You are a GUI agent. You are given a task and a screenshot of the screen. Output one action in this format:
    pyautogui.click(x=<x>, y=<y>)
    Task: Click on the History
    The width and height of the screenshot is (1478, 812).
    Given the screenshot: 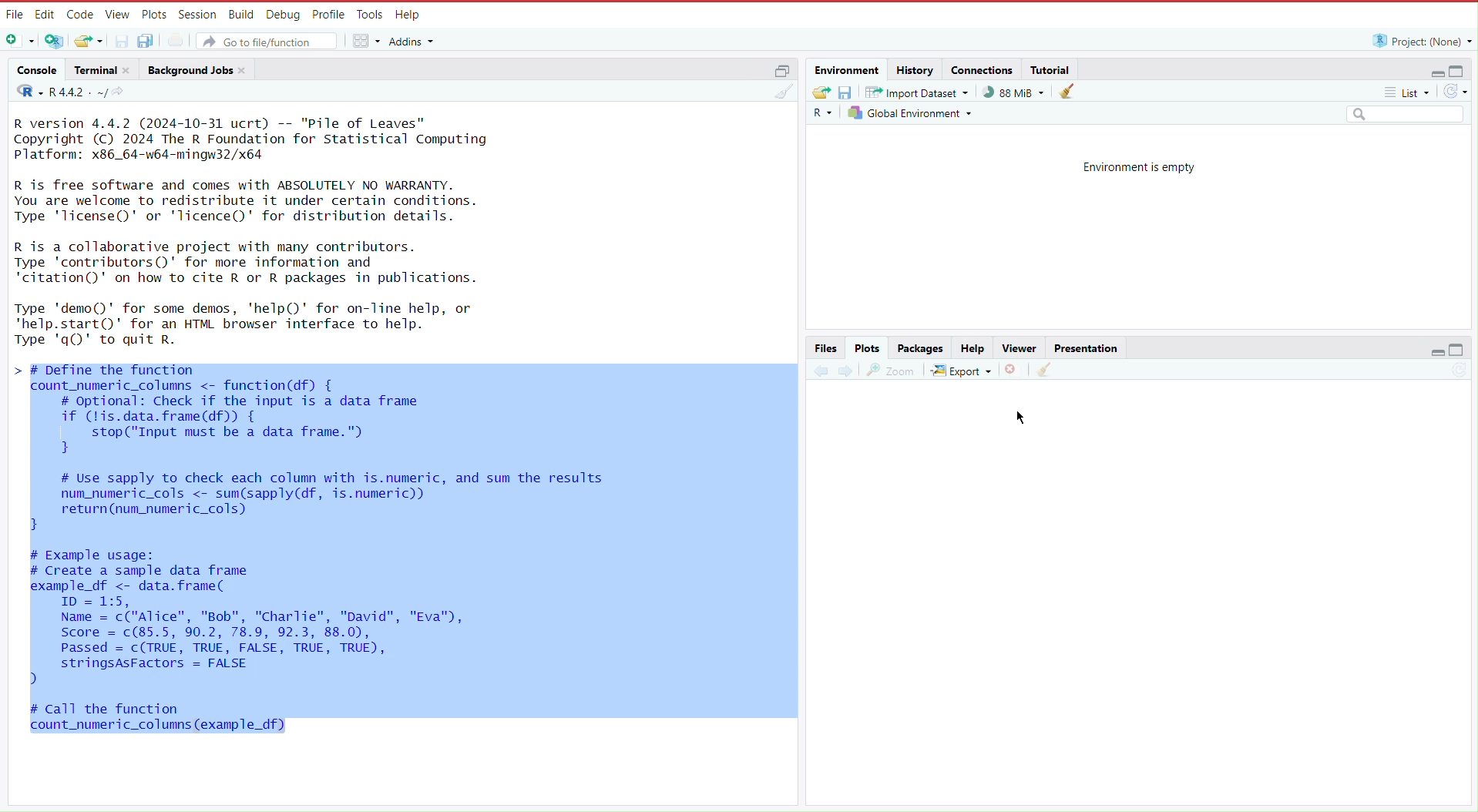 What is the action you would take?
    pyautogui.click(x=915, y=69)
    